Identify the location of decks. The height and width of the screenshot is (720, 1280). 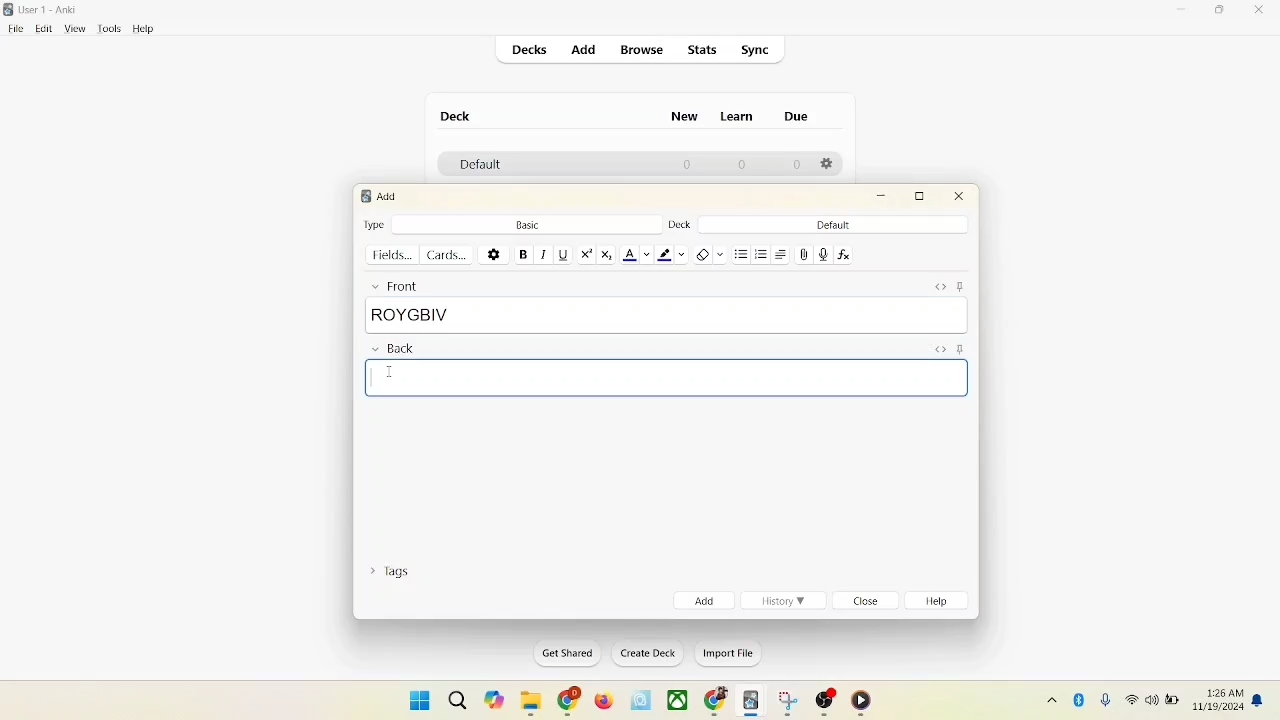
(531, 50).